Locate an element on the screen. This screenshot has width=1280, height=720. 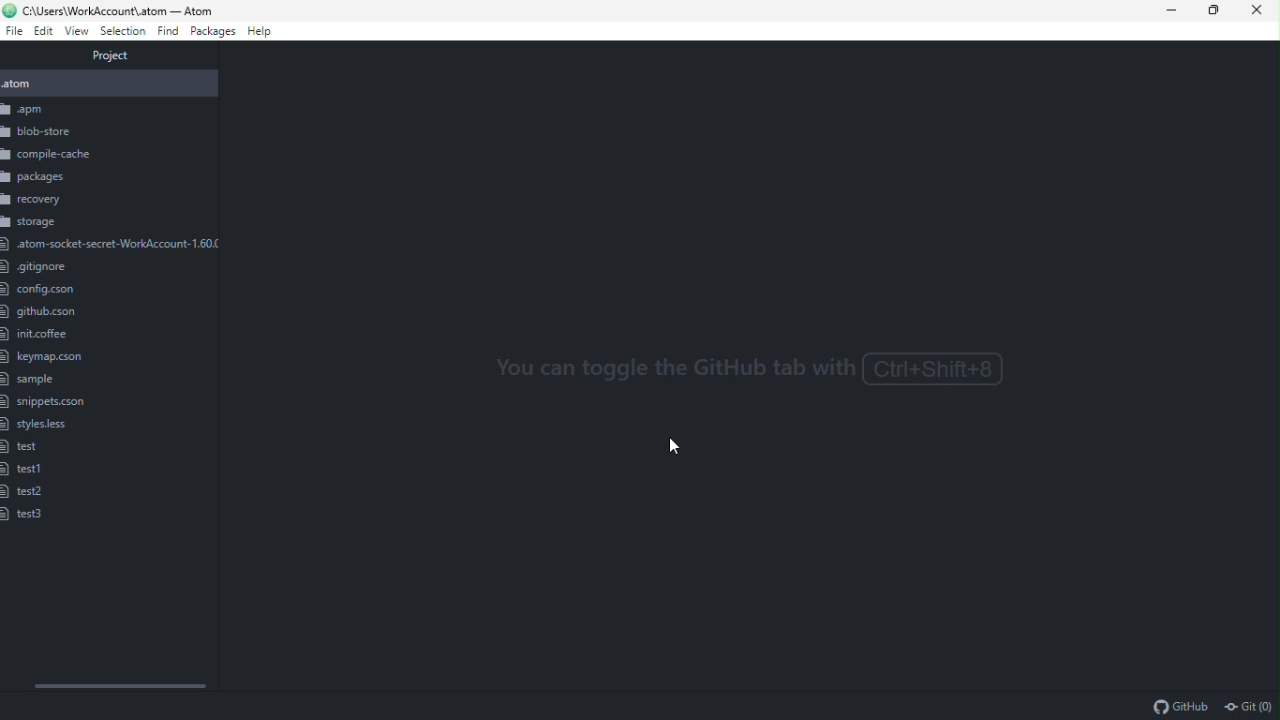
github is located at coordinates (1180, 706).